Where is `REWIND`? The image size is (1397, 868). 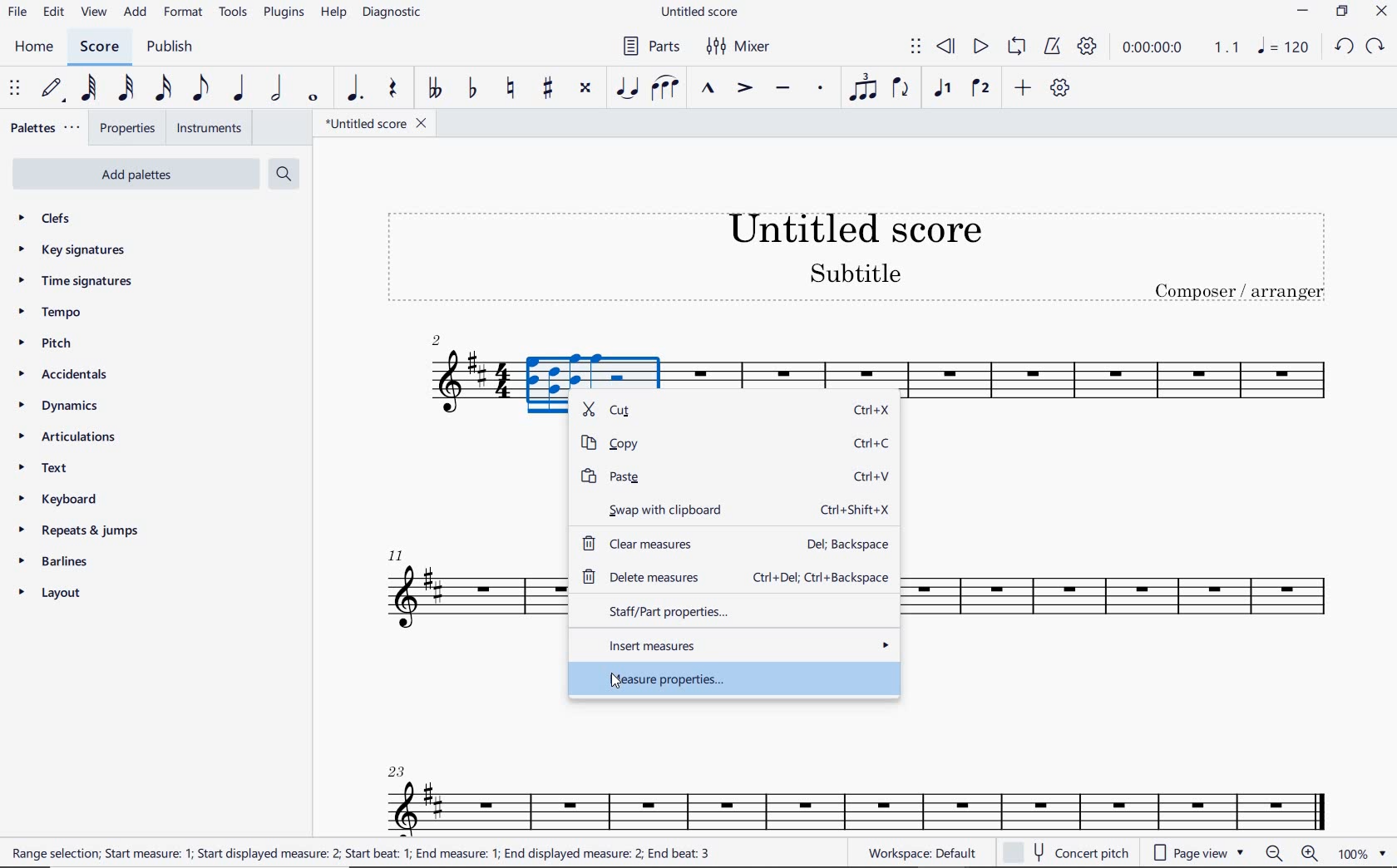
REWIND is located at coordinates (946, 47).